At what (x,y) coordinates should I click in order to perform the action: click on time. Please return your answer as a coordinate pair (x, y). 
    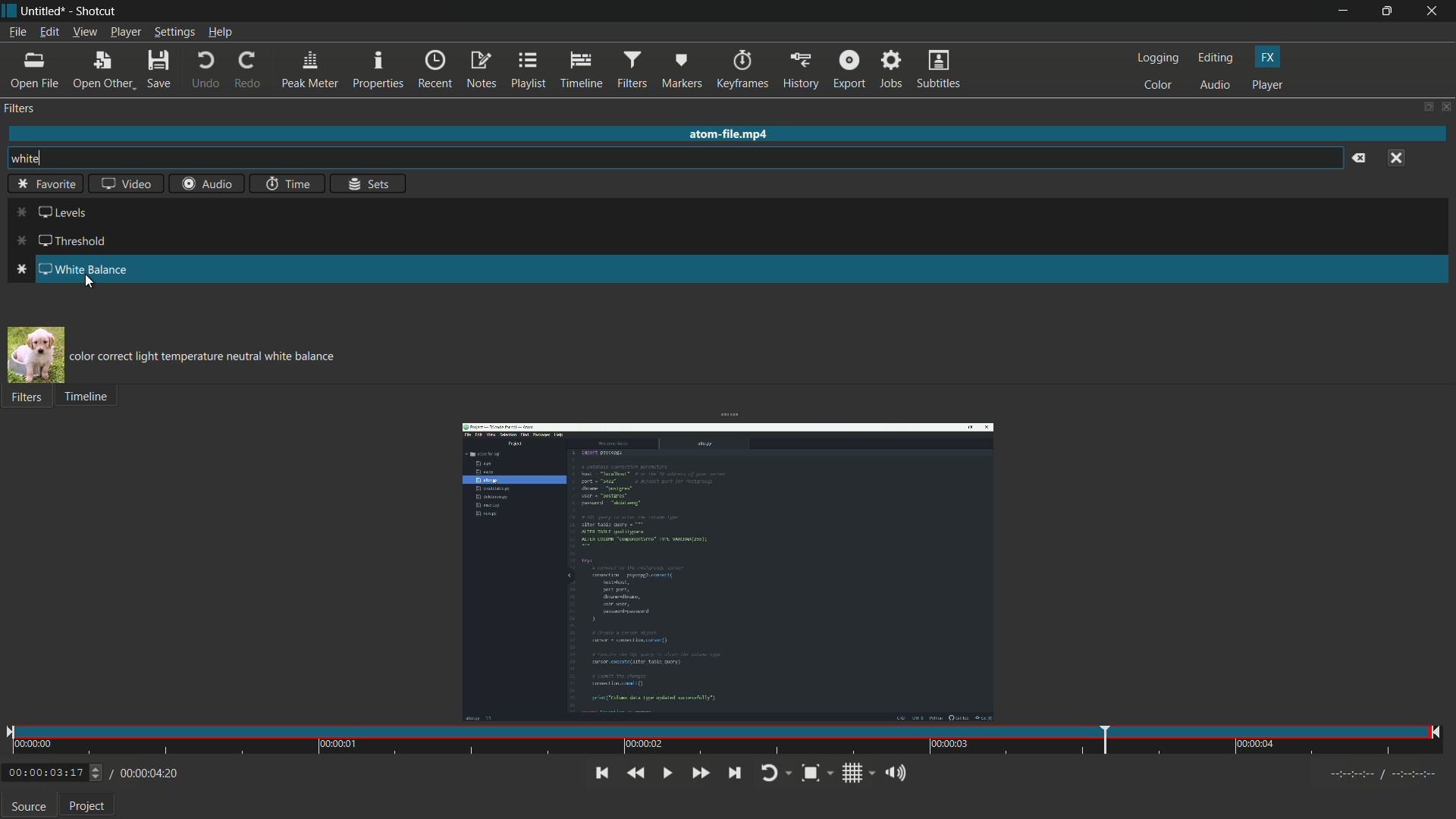
    Looking at the image, I should click on (724, 742).